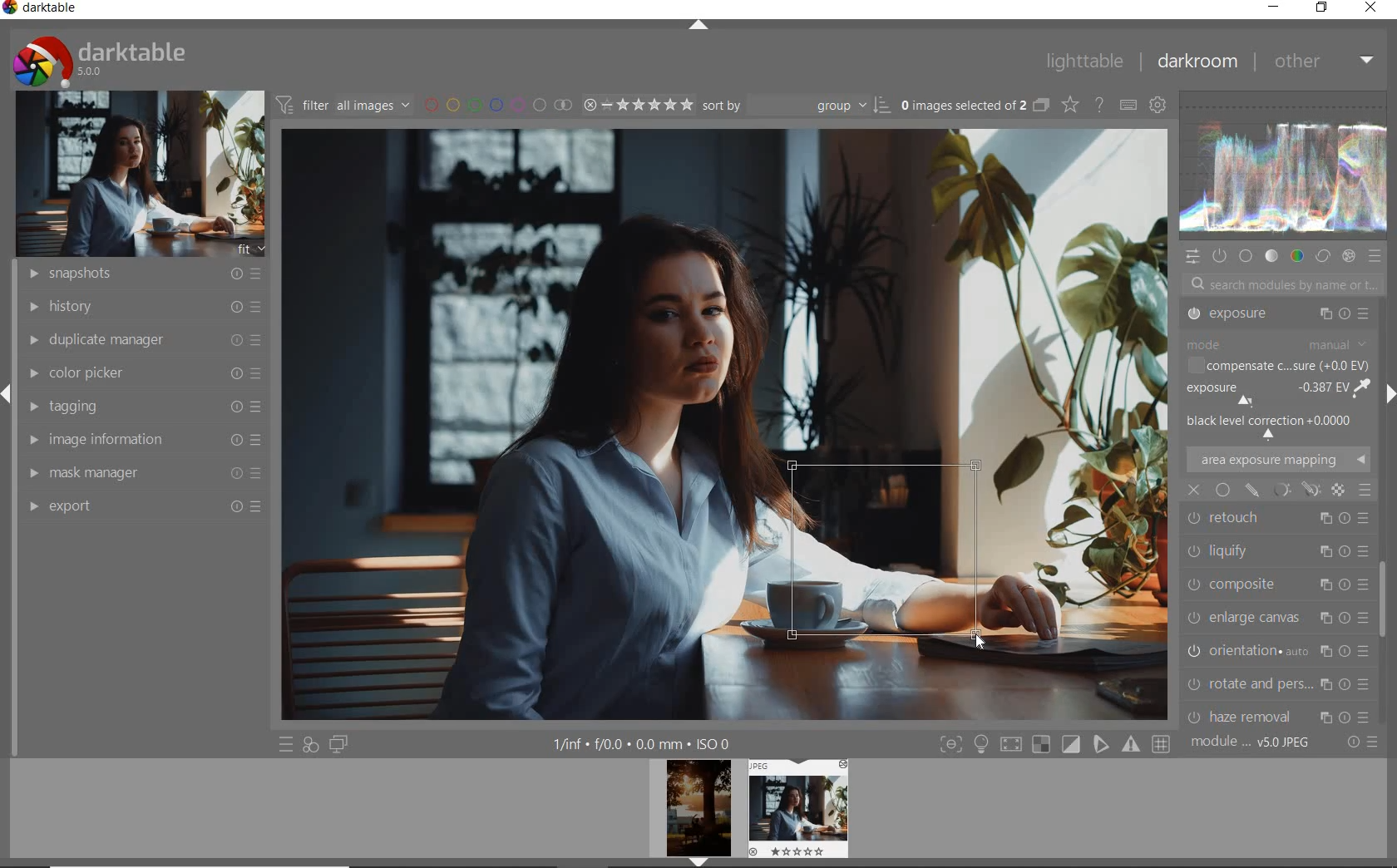  I want to click on SHOW ONLY ACTIVE MODULES, so click(1219, 257).